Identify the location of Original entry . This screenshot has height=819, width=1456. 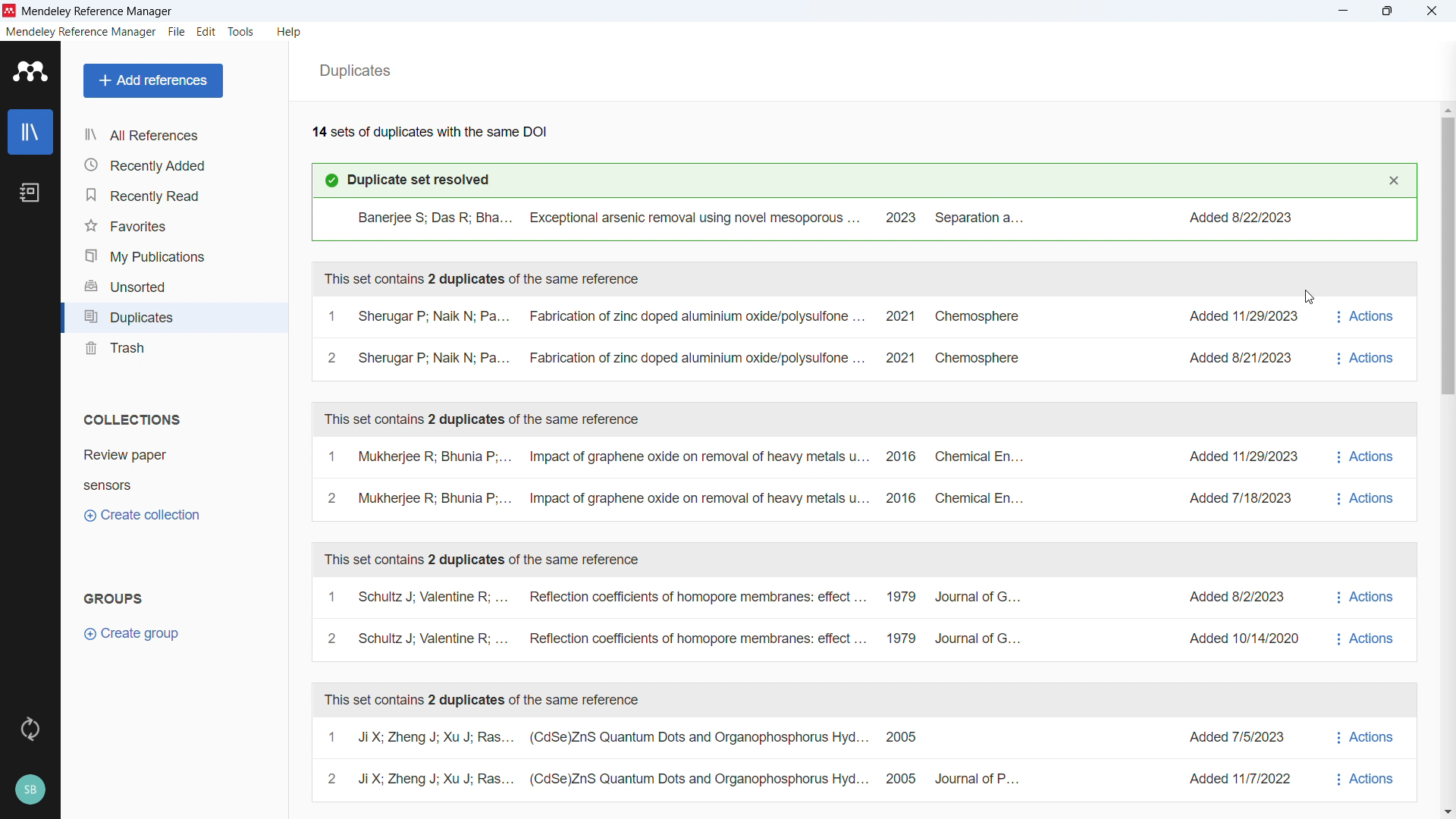
(864, 218).